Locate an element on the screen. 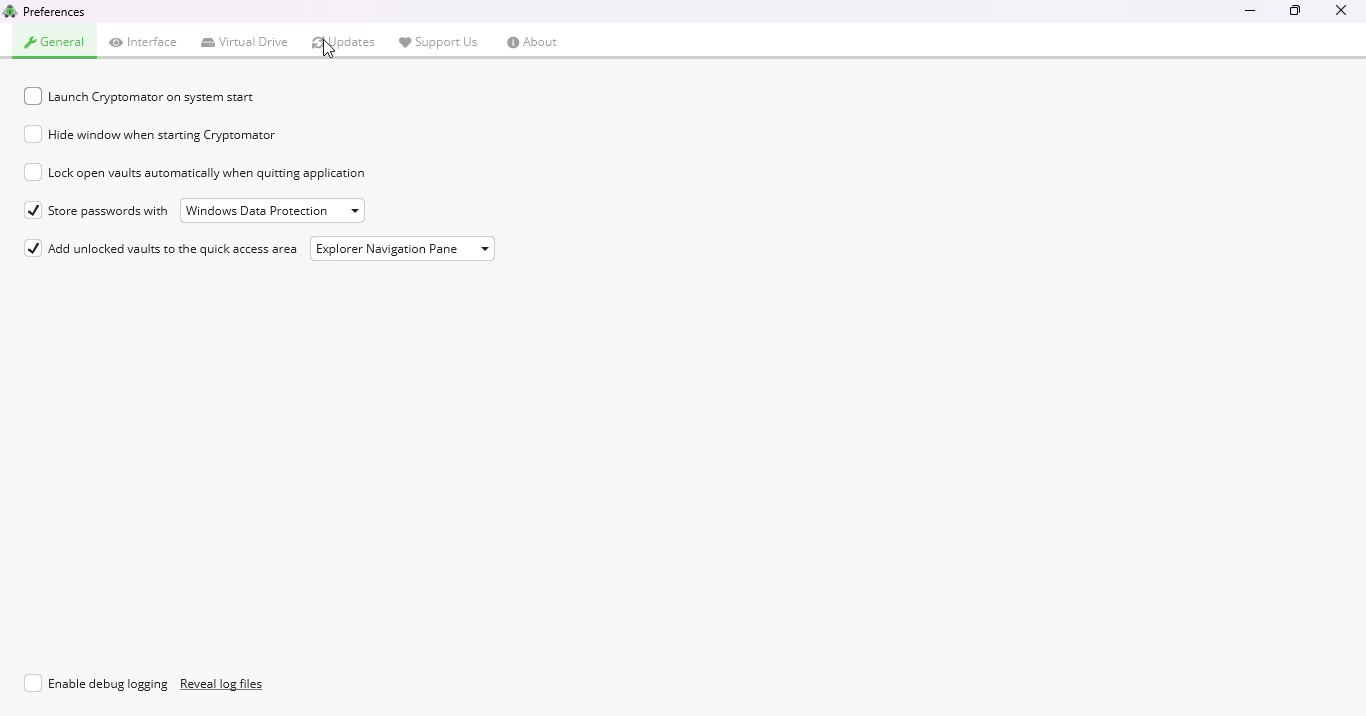 This screenshot has width=1366, height=716. support us is located at coordinates (439, 41).